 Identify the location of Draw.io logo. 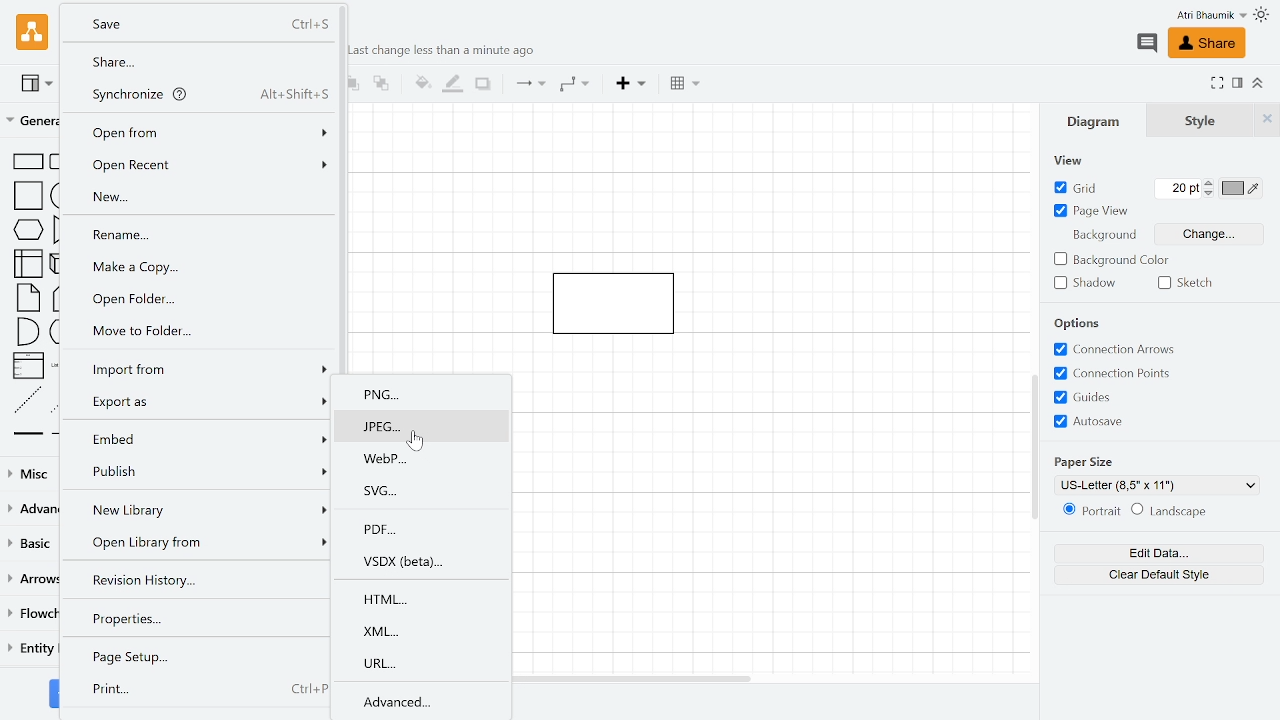
(34, 31).